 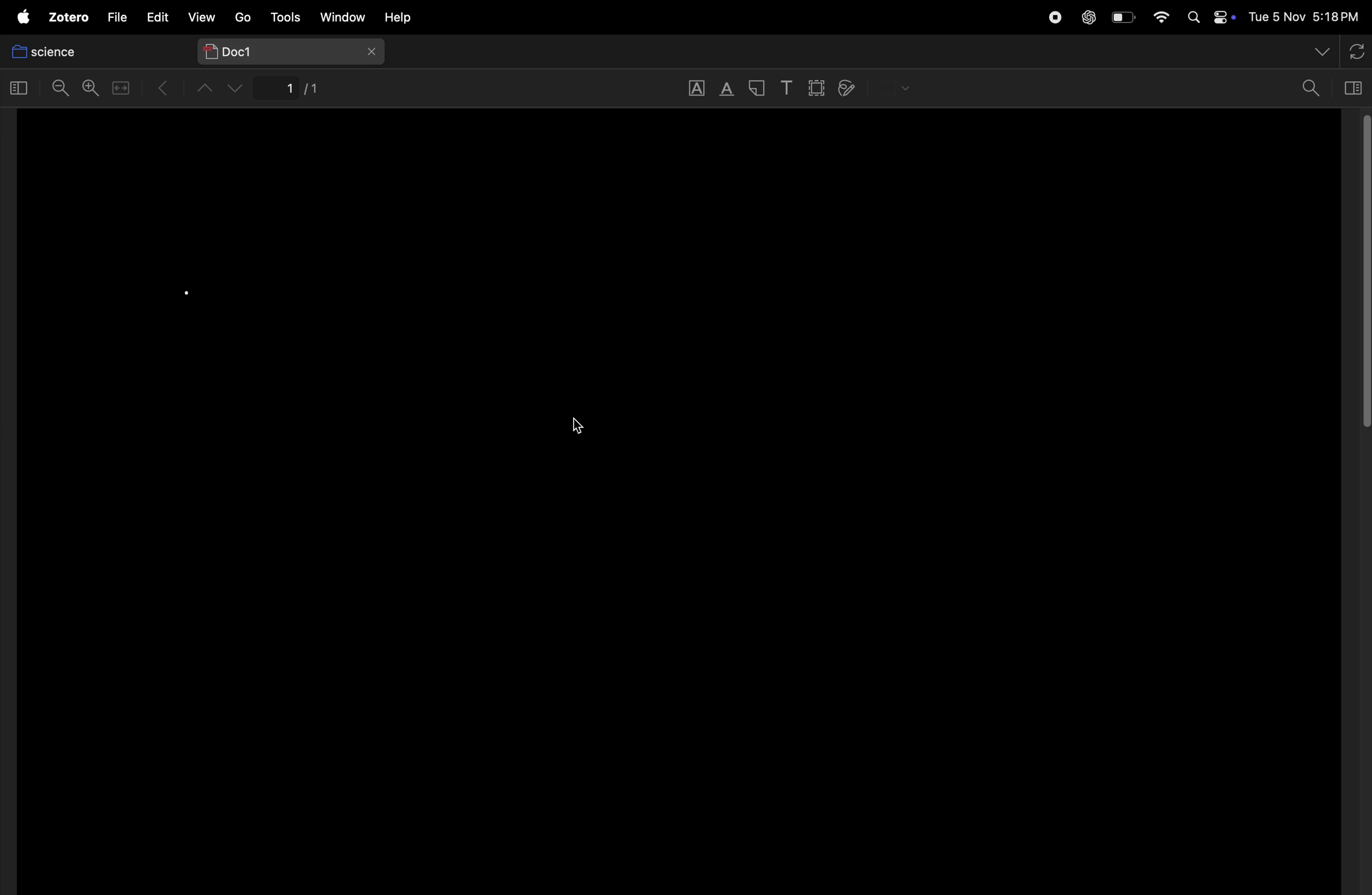 What do you see at coordinates (1305, 17) in the screenshot?
I see `time and date` at bounding box center [1305, 17].